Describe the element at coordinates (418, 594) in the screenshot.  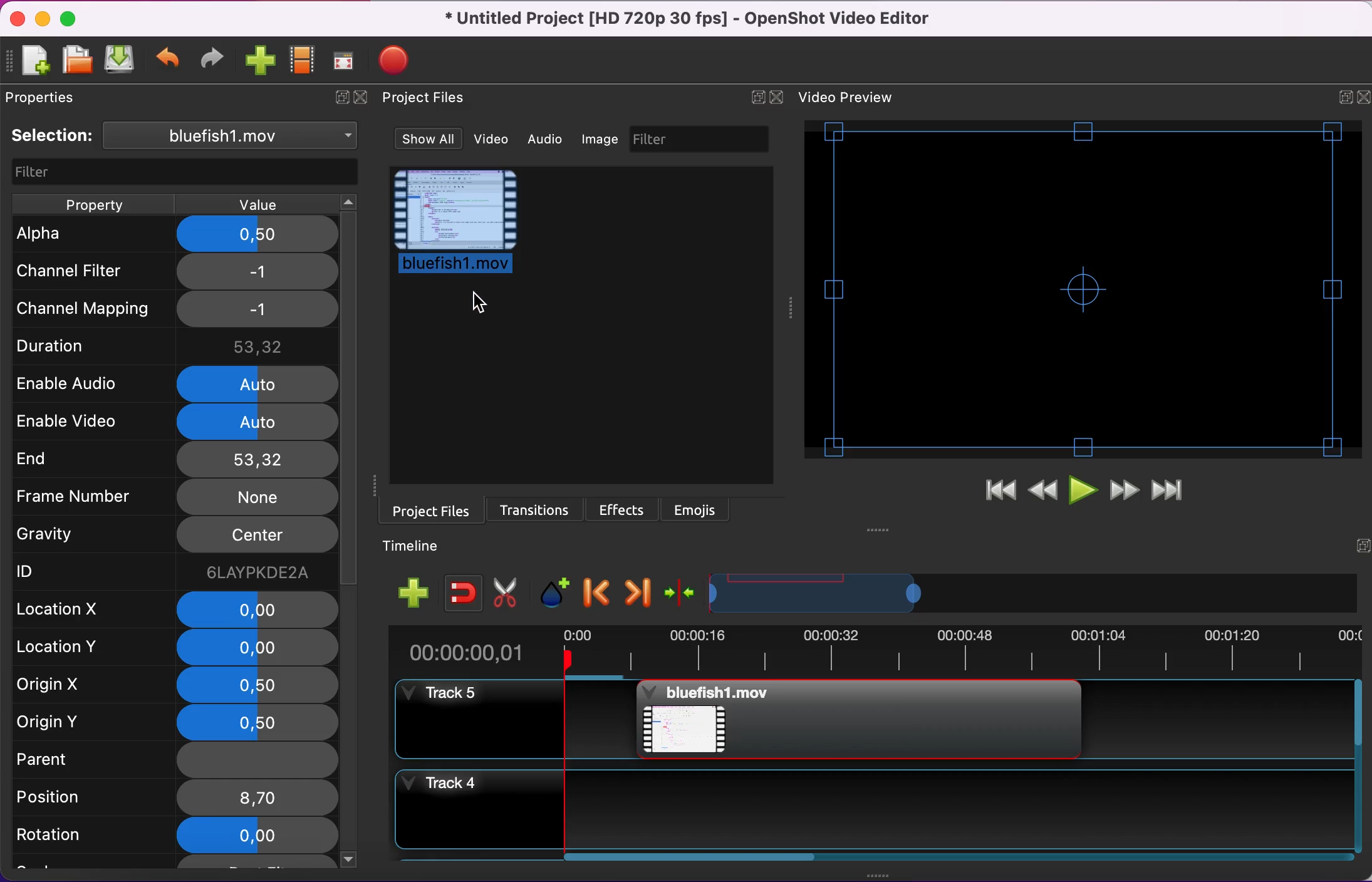
I see `add track` at that location.